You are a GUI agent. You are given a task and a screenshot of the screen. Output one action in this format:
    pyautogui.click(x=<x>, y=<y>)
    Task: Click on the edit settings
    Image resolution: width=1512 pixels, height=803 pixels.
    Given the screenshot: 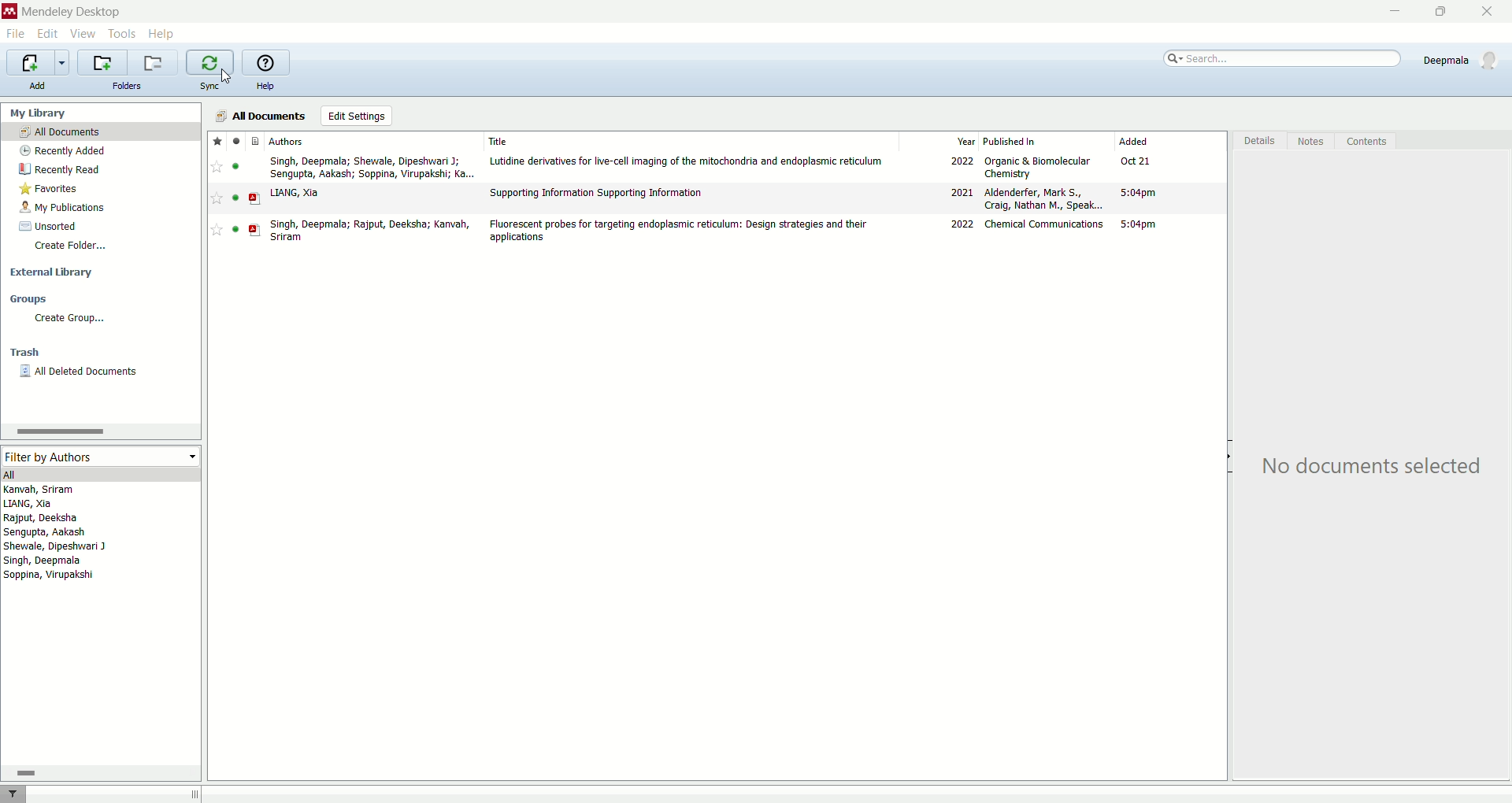 What is the action you would take?
    pyautogui.click(x=357, y=116)
    